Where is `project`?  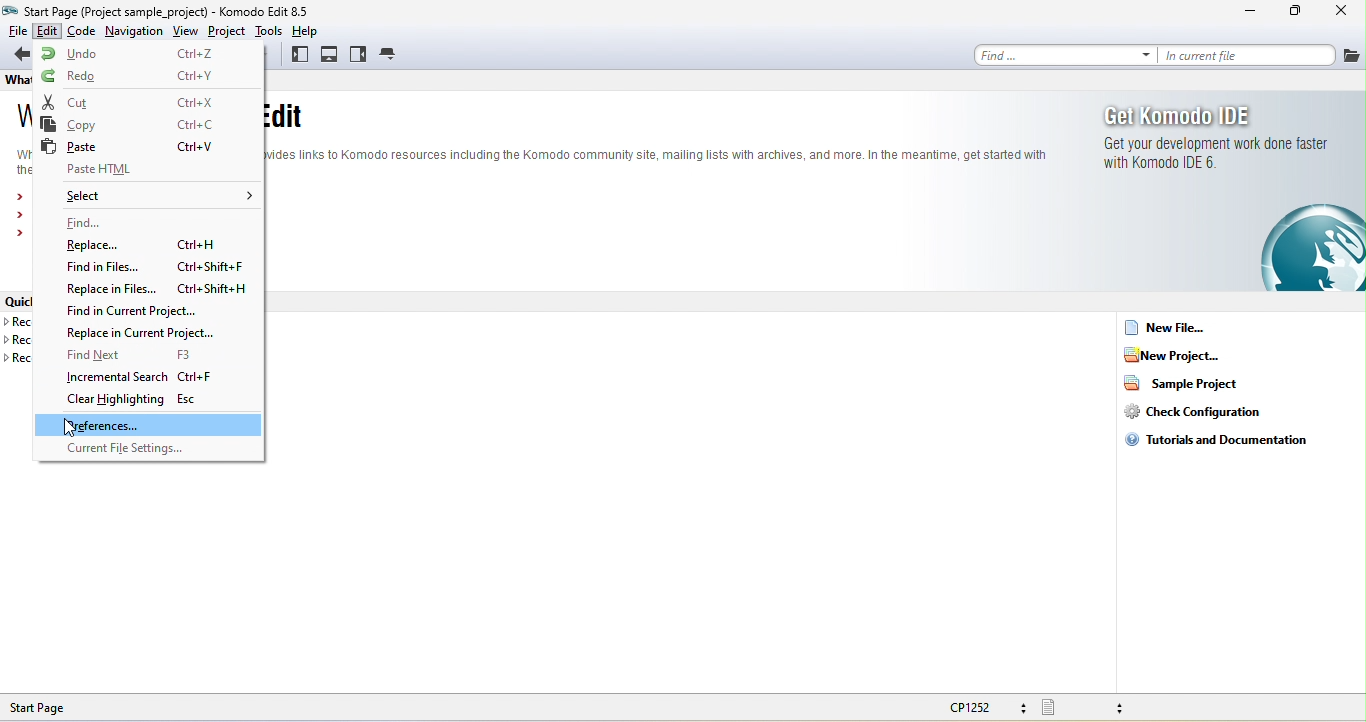 project is located at coordinates (225, 31).